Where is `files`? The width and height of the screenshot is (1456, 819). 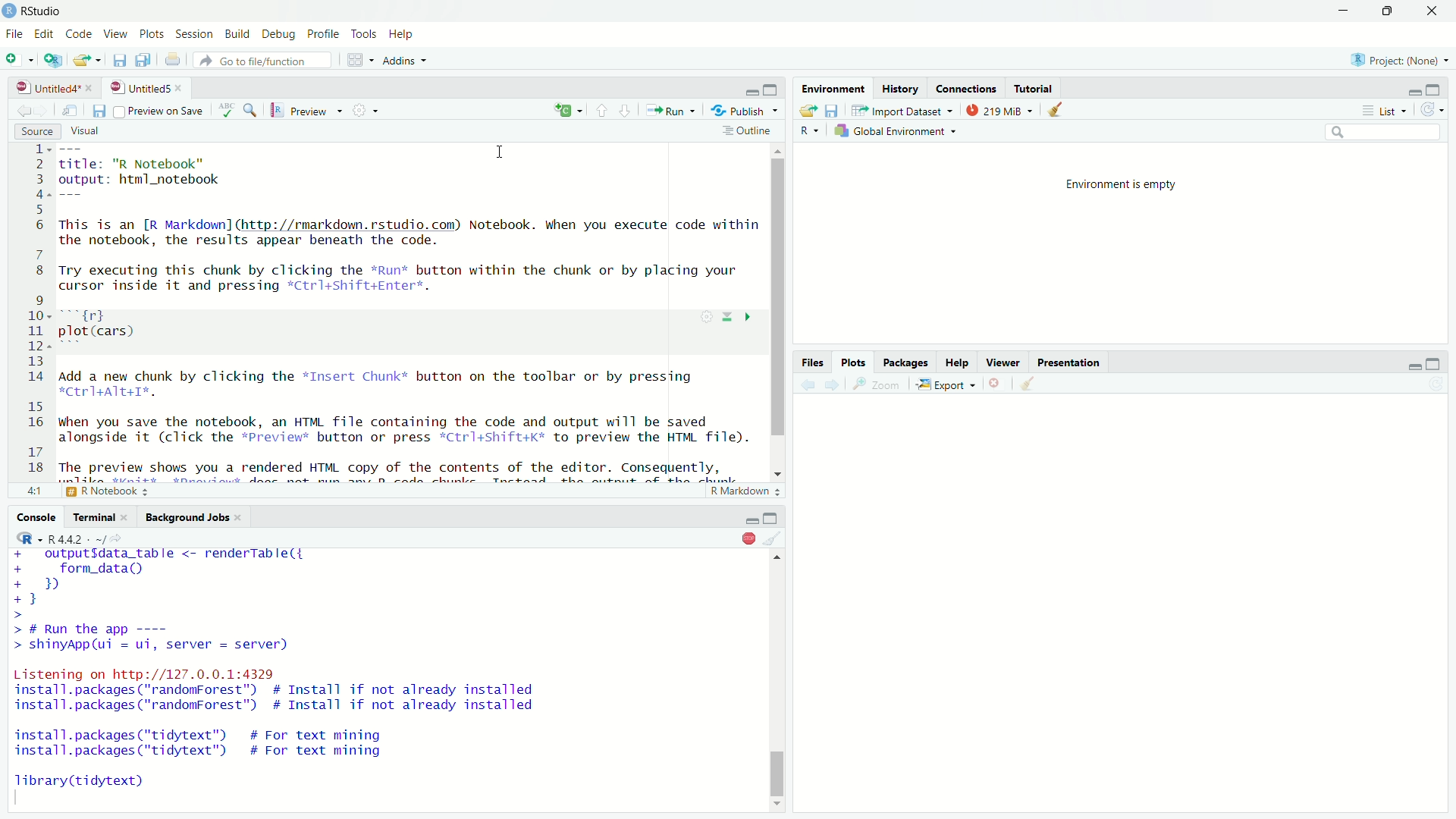
files is located at coordinates (813, 362).